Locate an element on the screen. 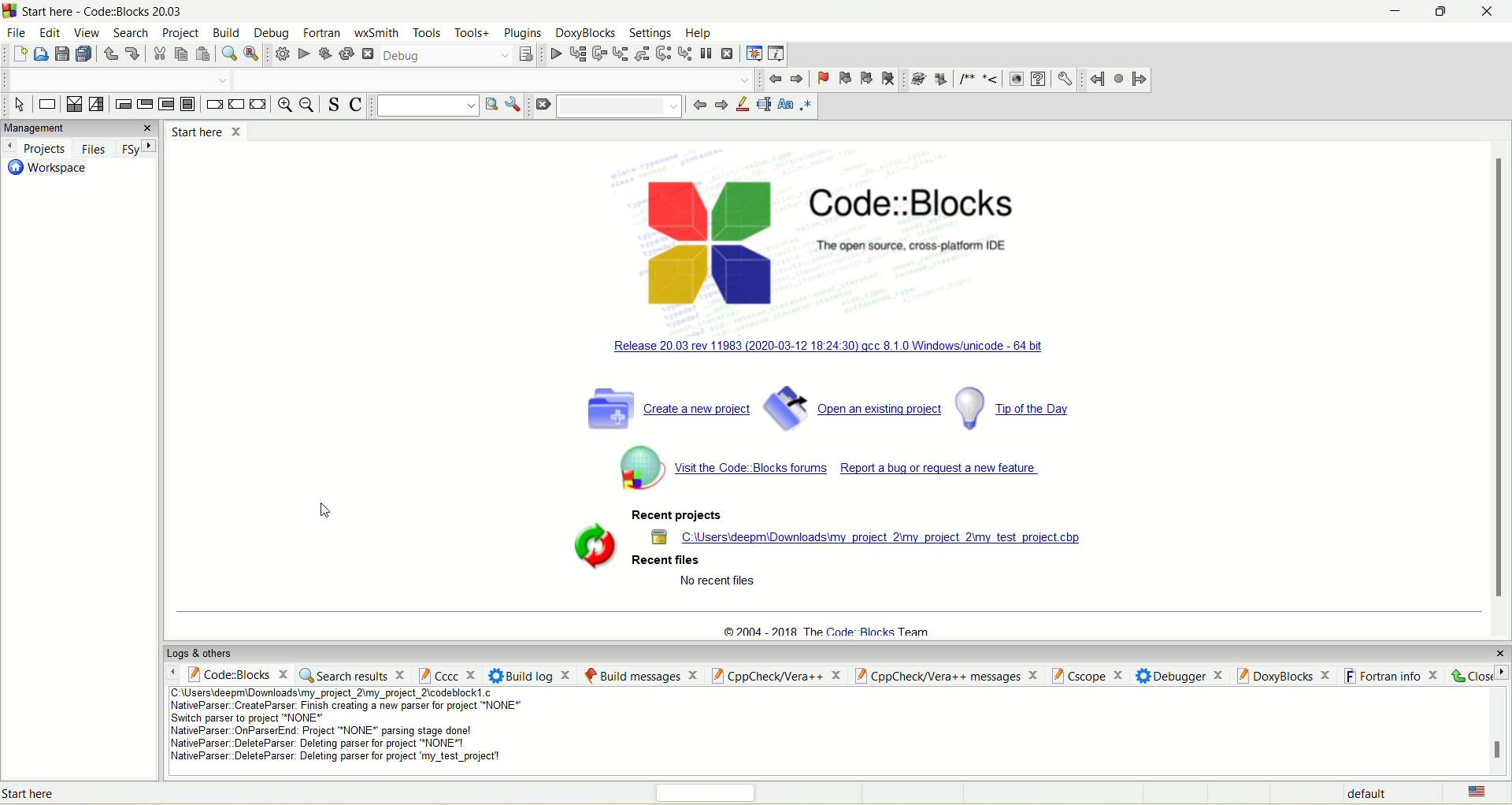 The image size is (1512, 805). open is located at coordinates (39, 54).